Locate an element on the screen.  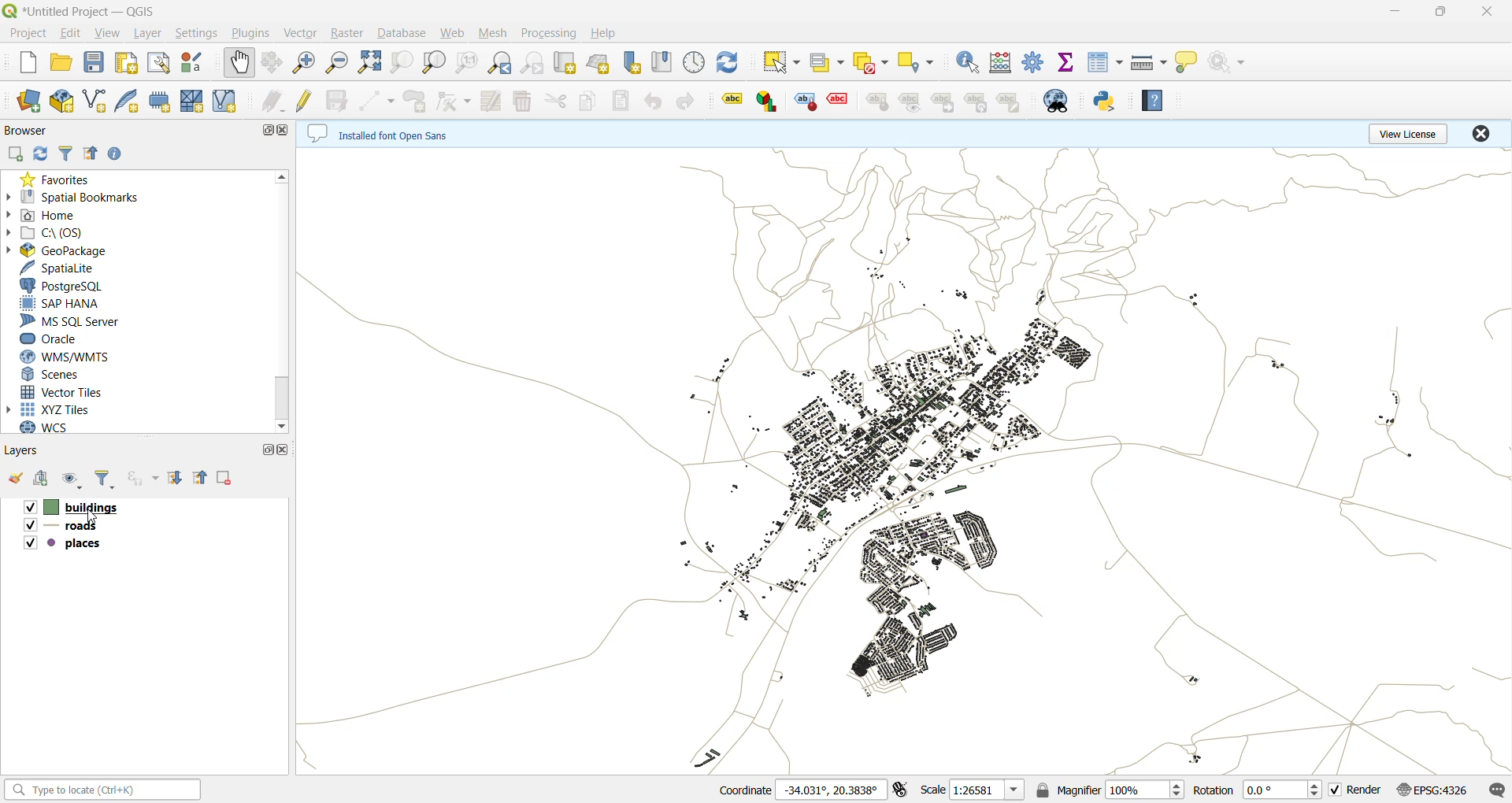
coordinates is located at coordinates (801, 790).